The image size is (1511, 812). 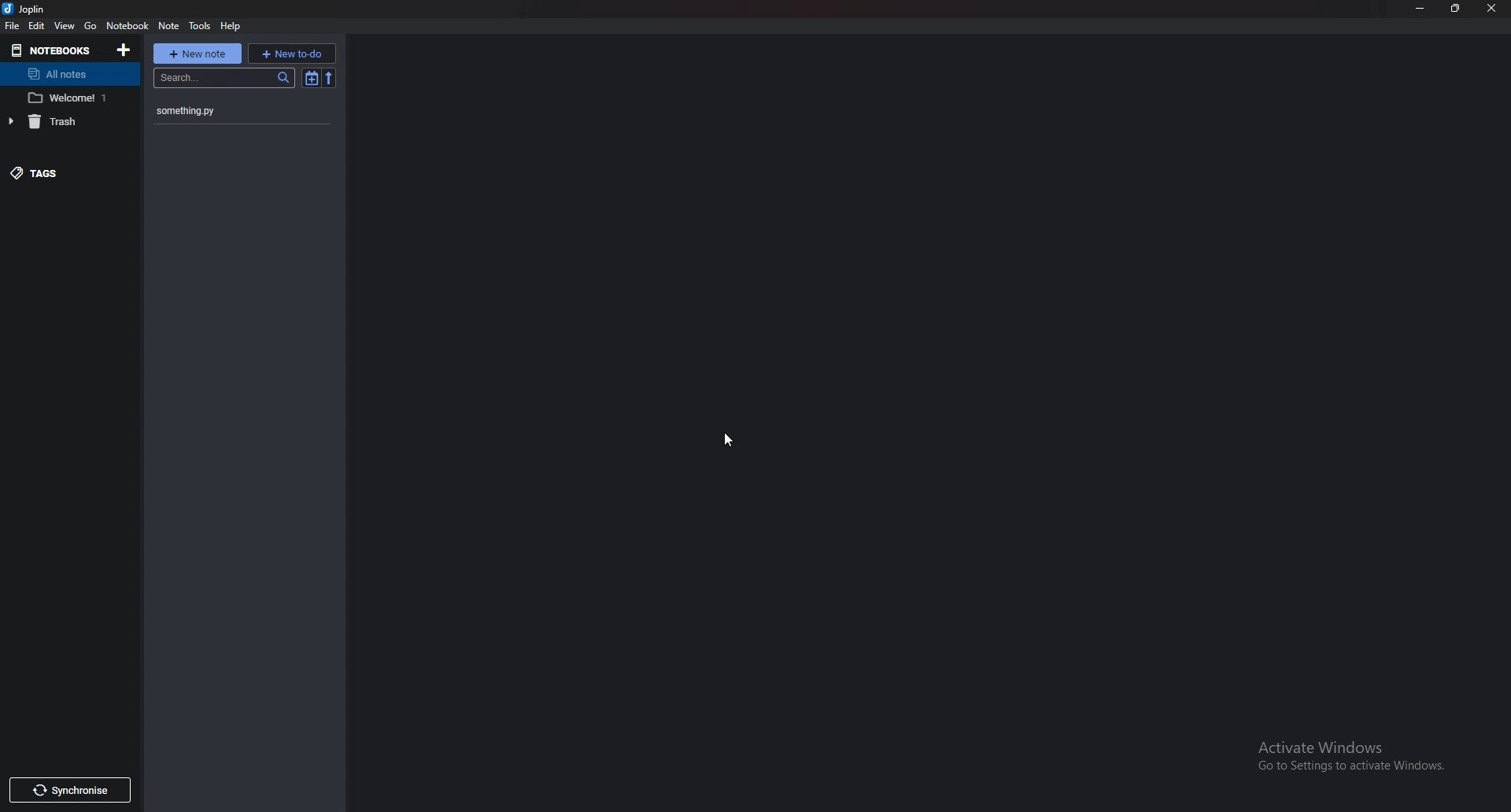 I want to click on view, so click(x=64, y=27).